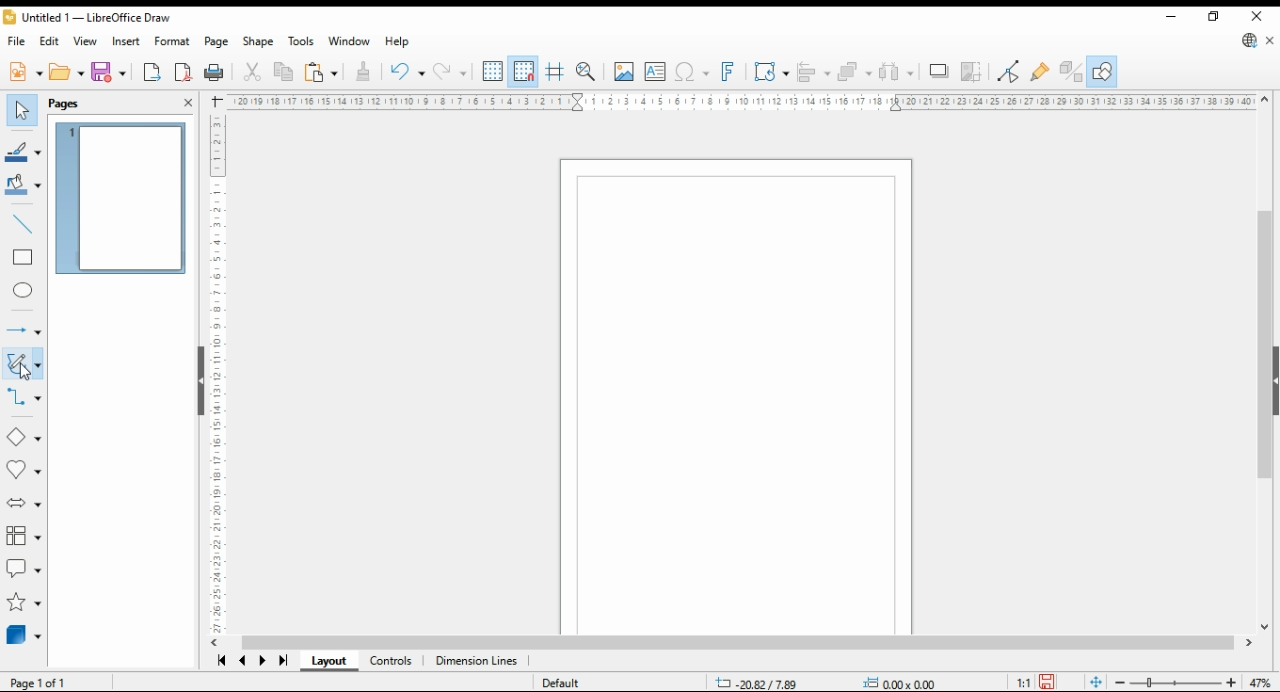 The image size is (1280, 692). What do you see at coordinates (87, 40) in the screenshot?
I see `view` at bounding box center [87, 40].